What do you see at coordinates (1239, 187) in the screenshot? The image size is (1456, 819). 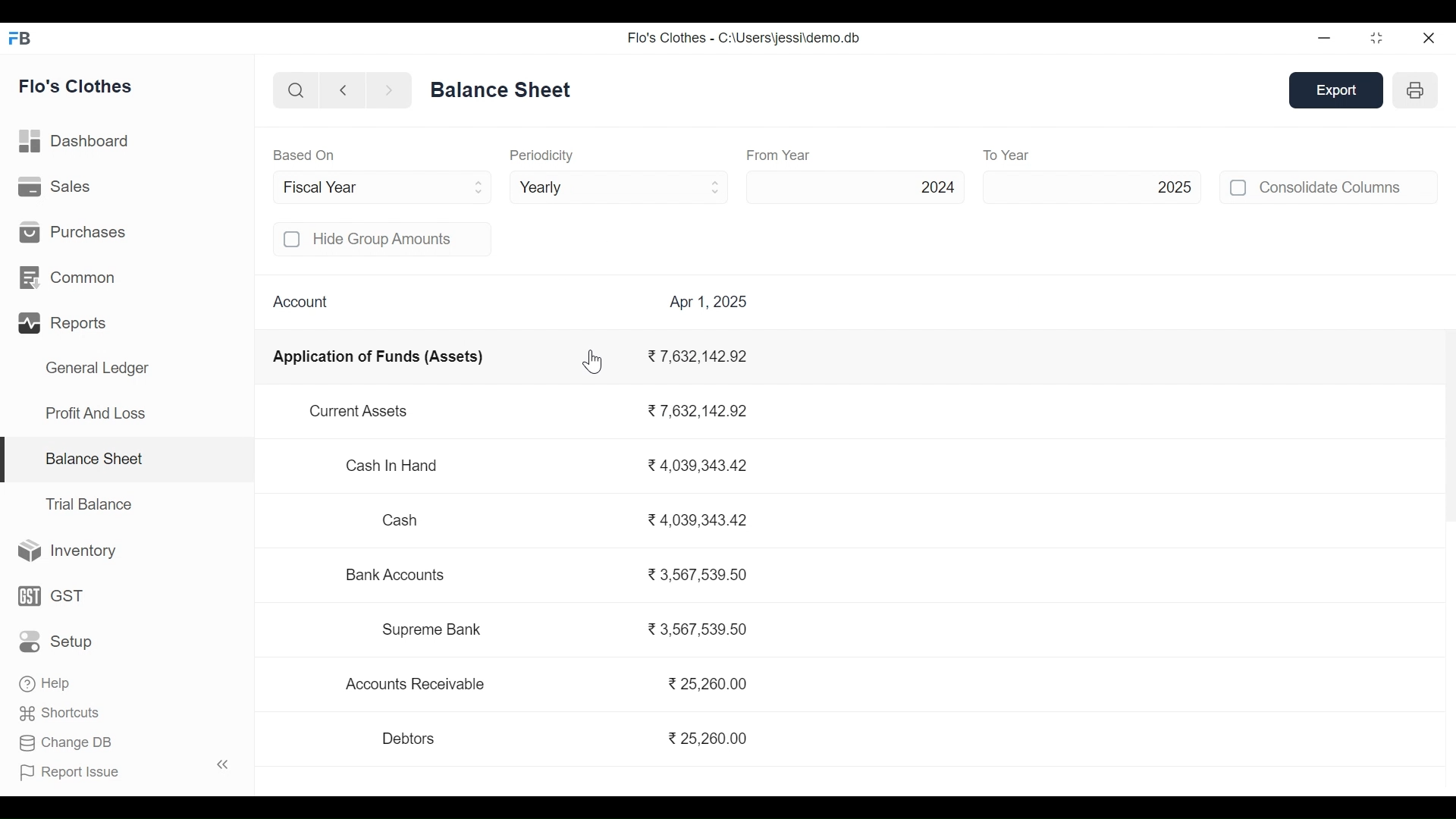 I see `checkbox` at bounding box center [1239, 187].